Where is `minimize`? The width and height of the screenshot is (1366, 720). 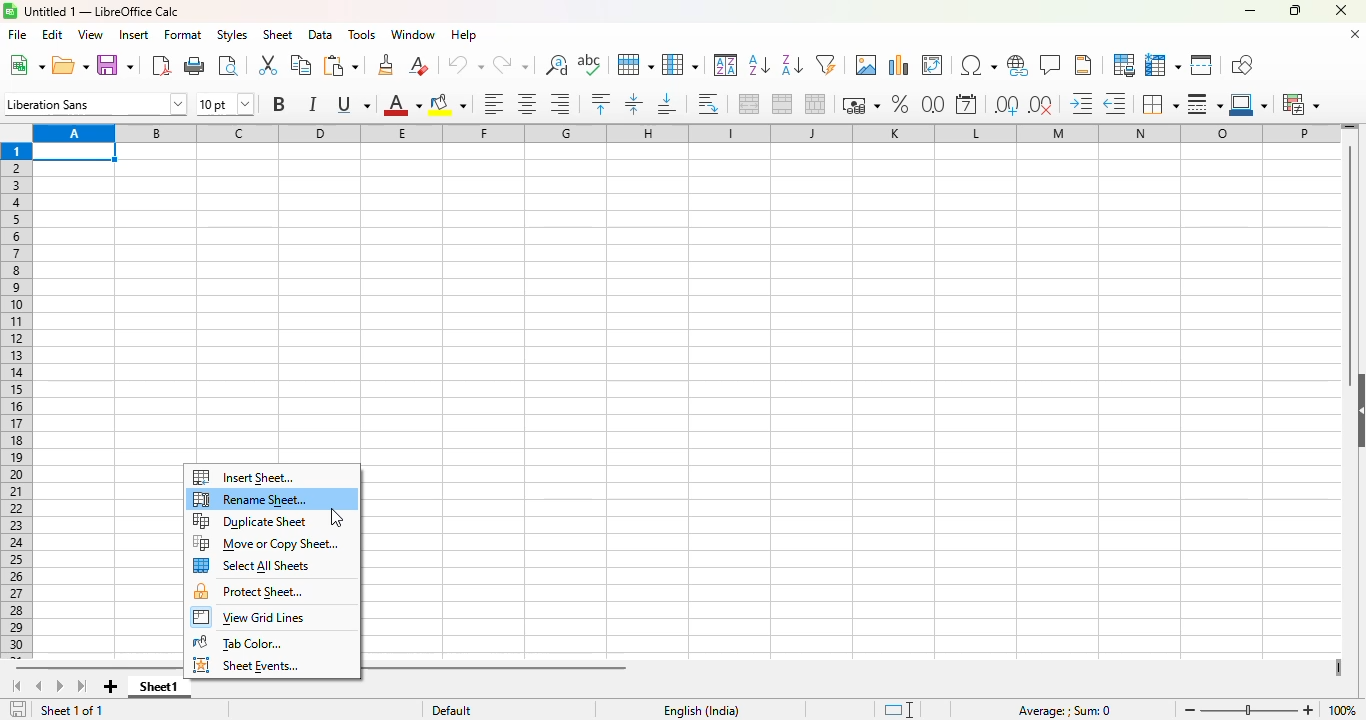
minimize is located at coordinates (1248, 11).